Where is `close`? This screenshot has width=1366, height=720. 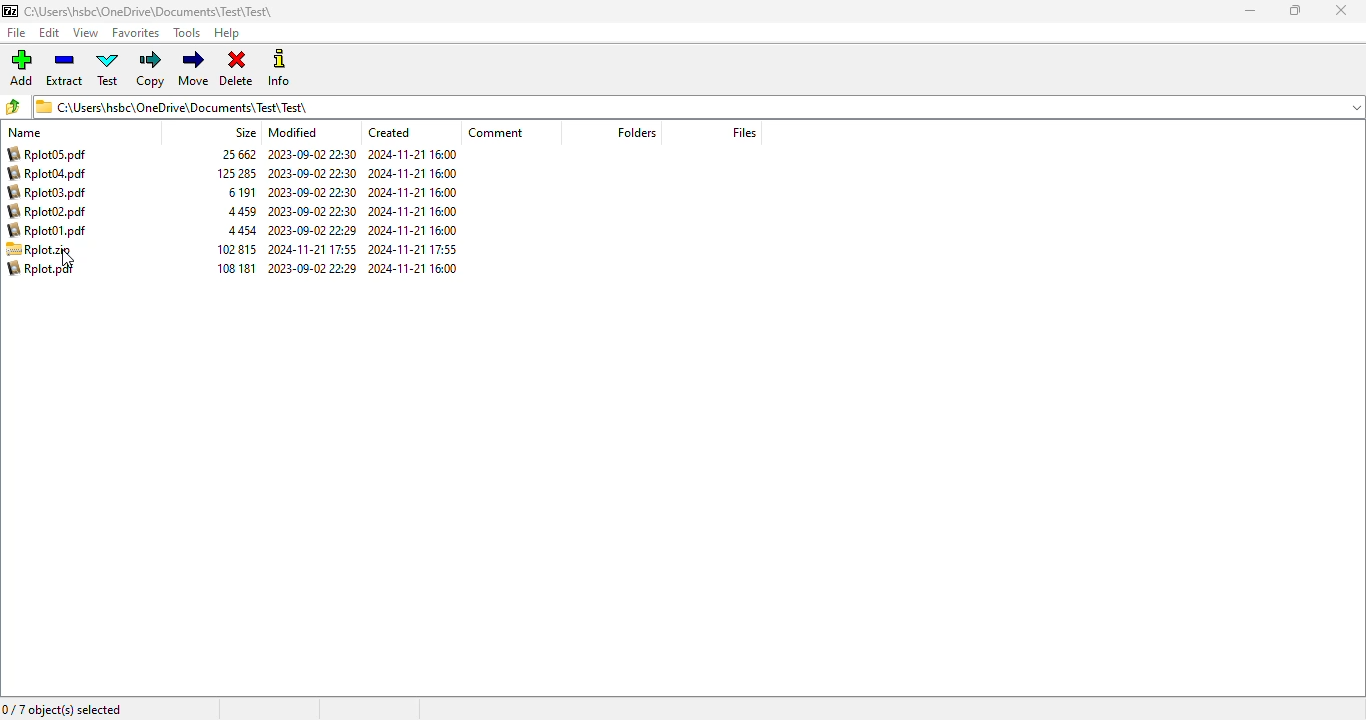
close is located at coordinates (1340, 10).